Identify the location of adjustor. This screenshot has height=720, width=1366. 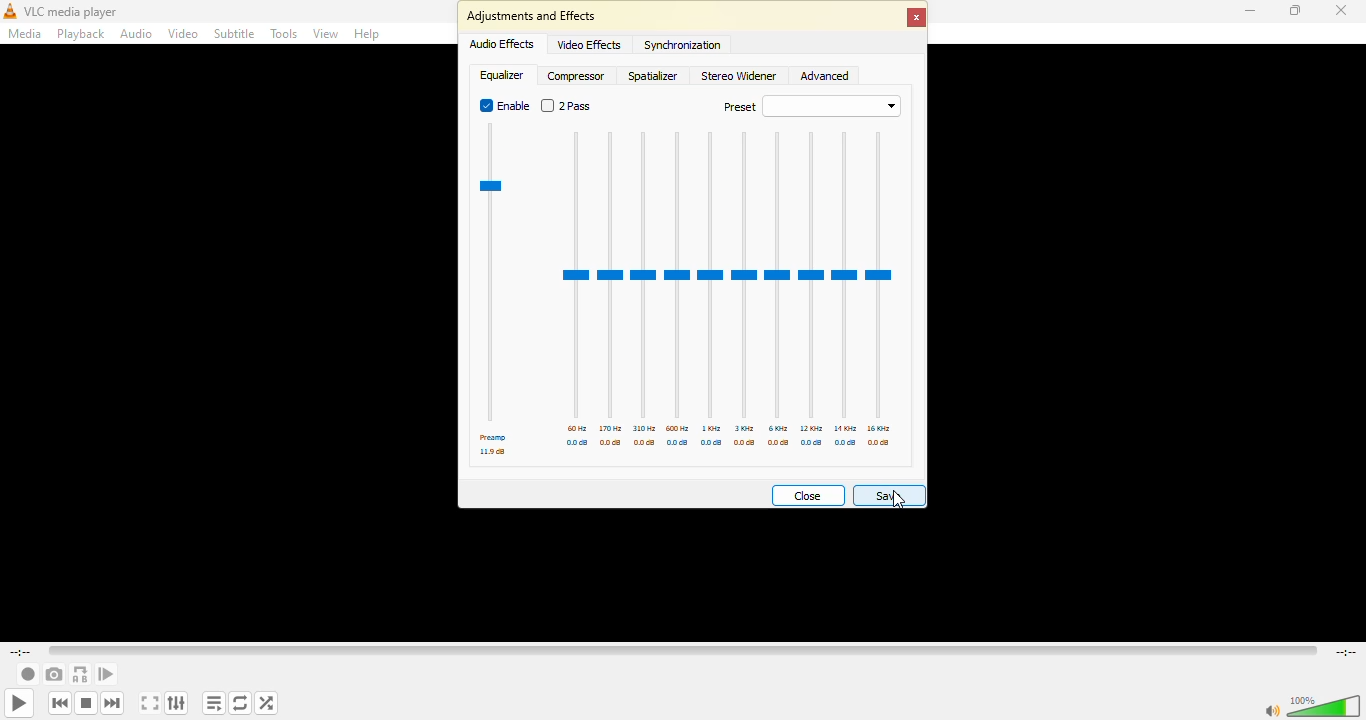
(644, 275).